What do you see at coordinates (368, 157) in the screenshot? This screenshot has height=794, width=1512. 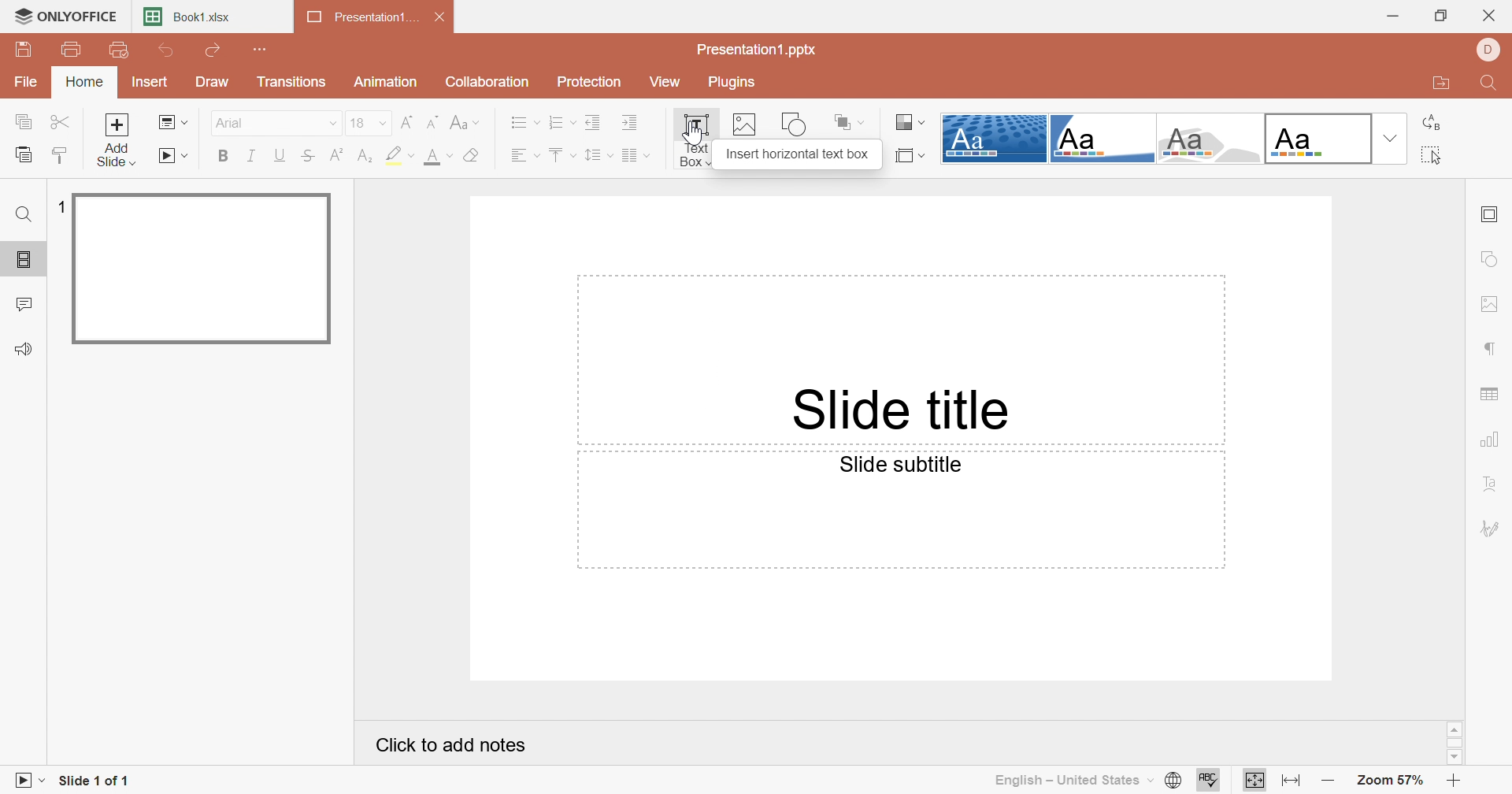 I see `Subscript` at bounding box center [368, 157].